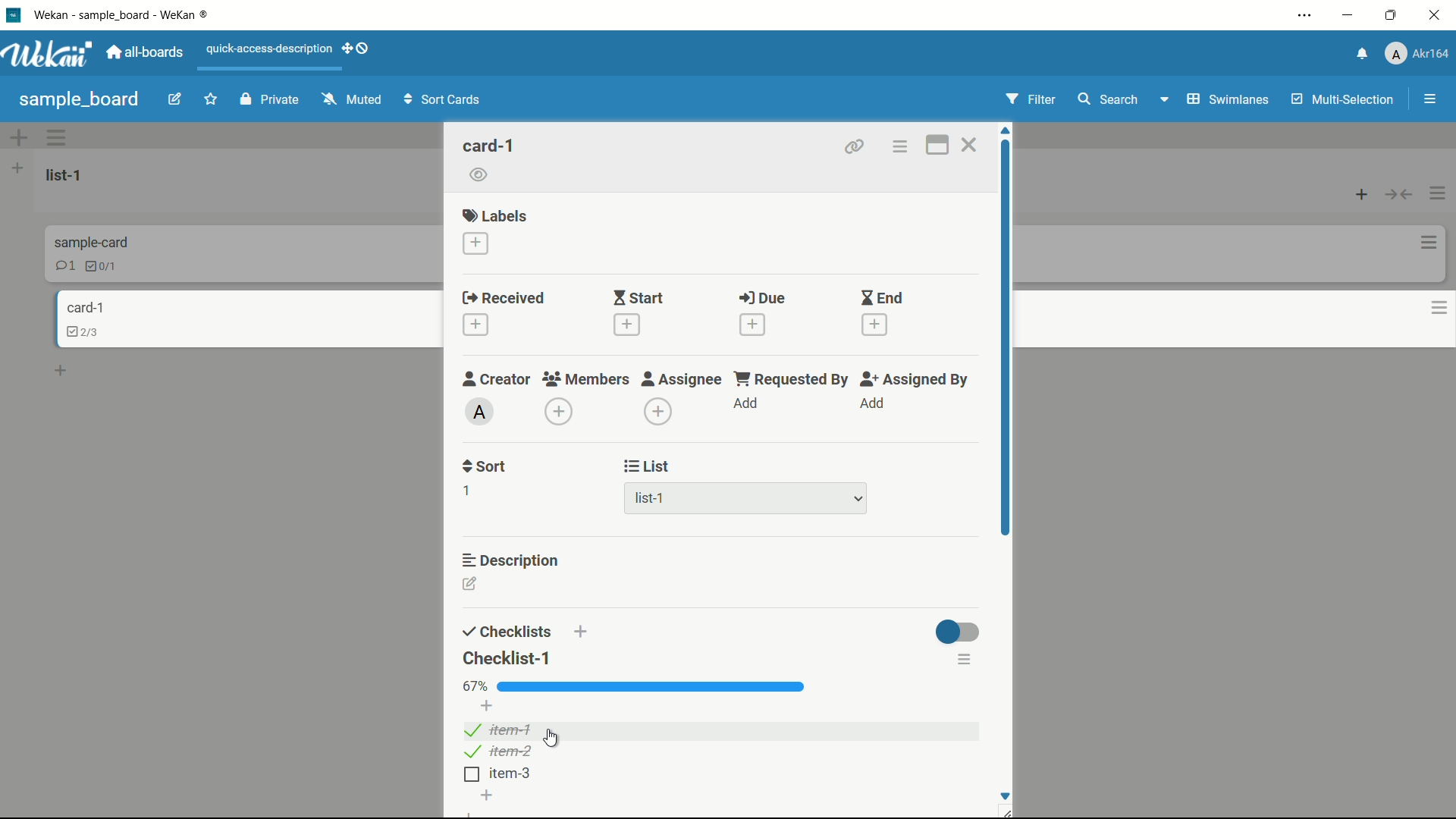  I want to click on start, so click(639, 300).